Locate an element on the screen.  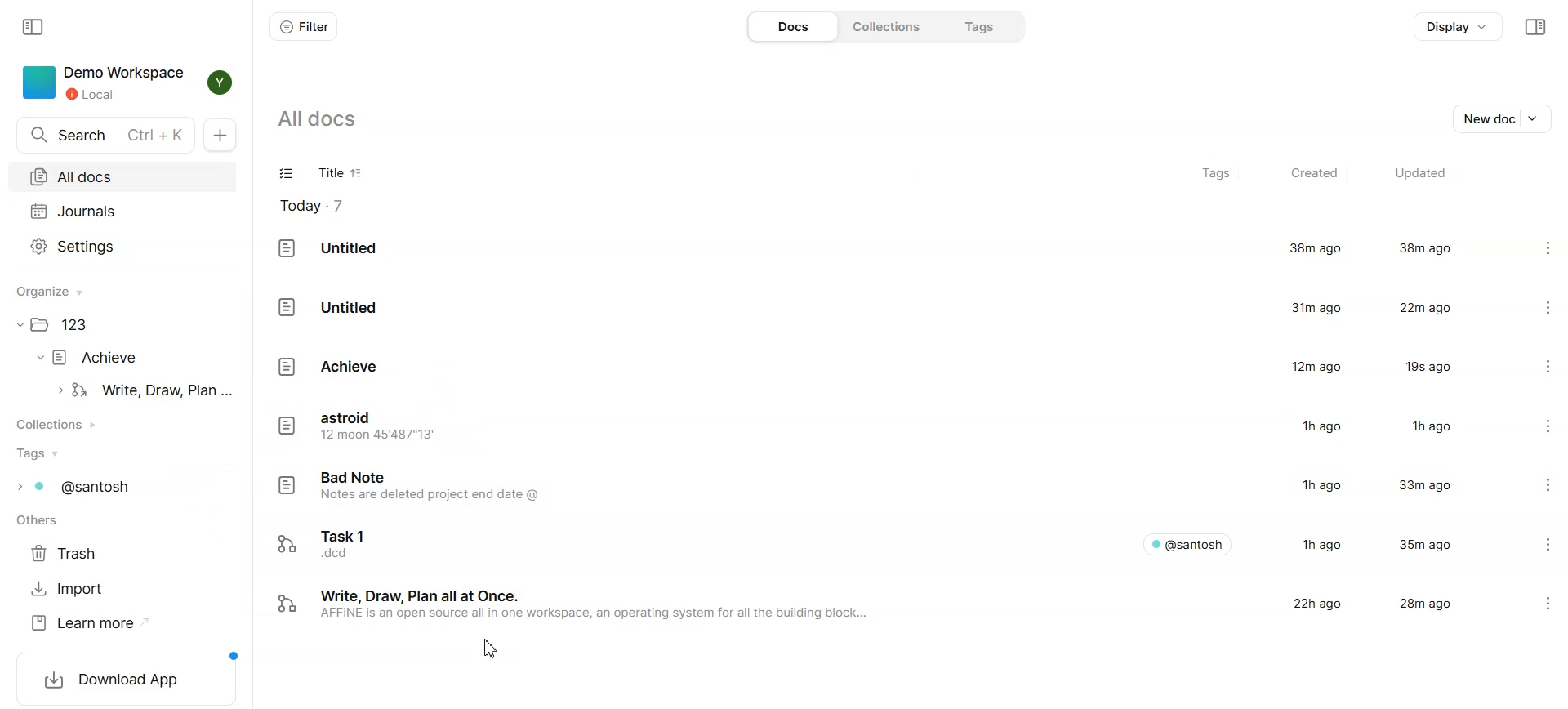
Today  is located at coordinates (321, 206).